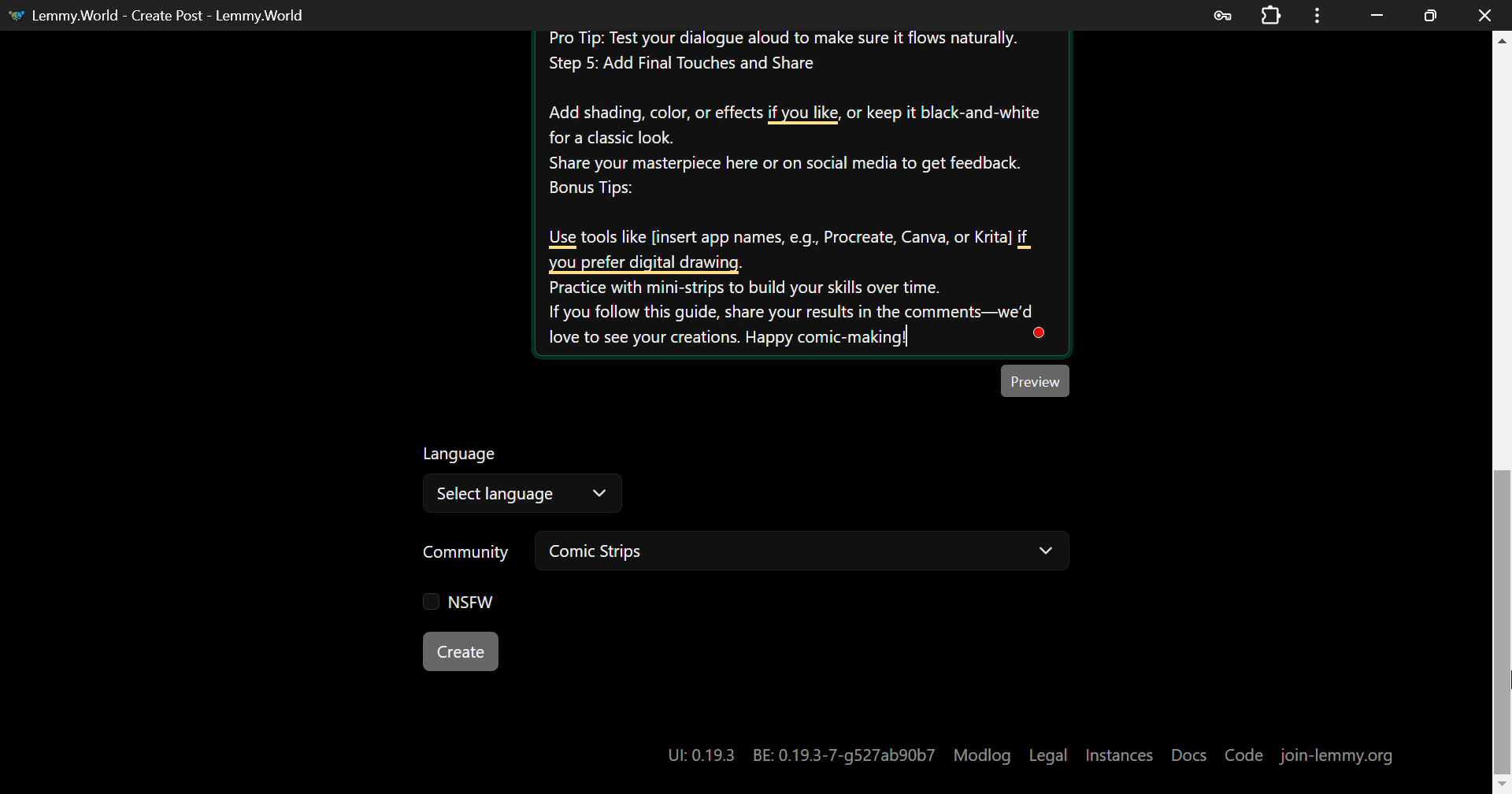 The image size is (1512, 794). I want to click on UI: 0.19.3 BE: 0.19.3-7-g527ab90b7, so click(791, 755).